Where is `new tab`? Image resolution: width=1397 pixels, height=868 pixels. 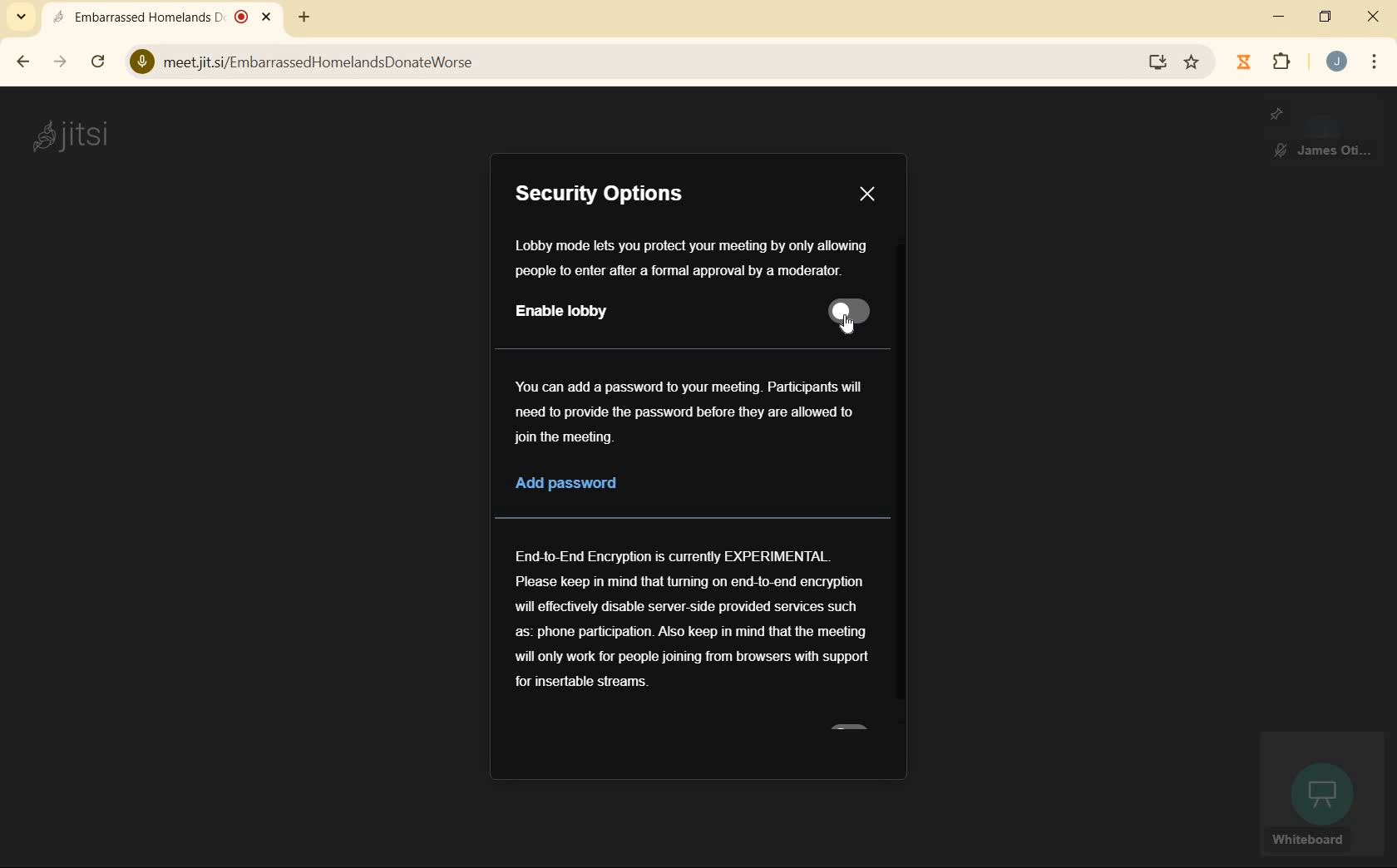
new tab is located at coordinates (303, 17).